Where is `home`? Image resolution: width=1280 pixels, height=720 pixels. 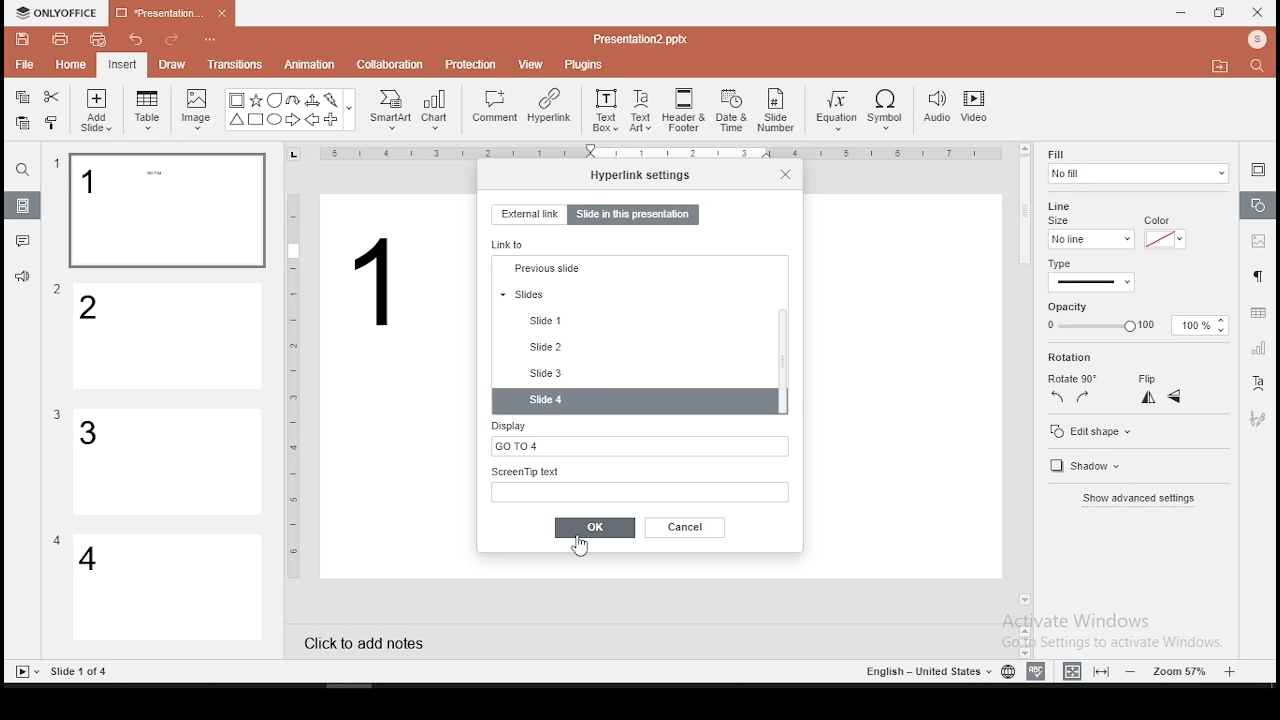
home is located at coordinates (69, 64).